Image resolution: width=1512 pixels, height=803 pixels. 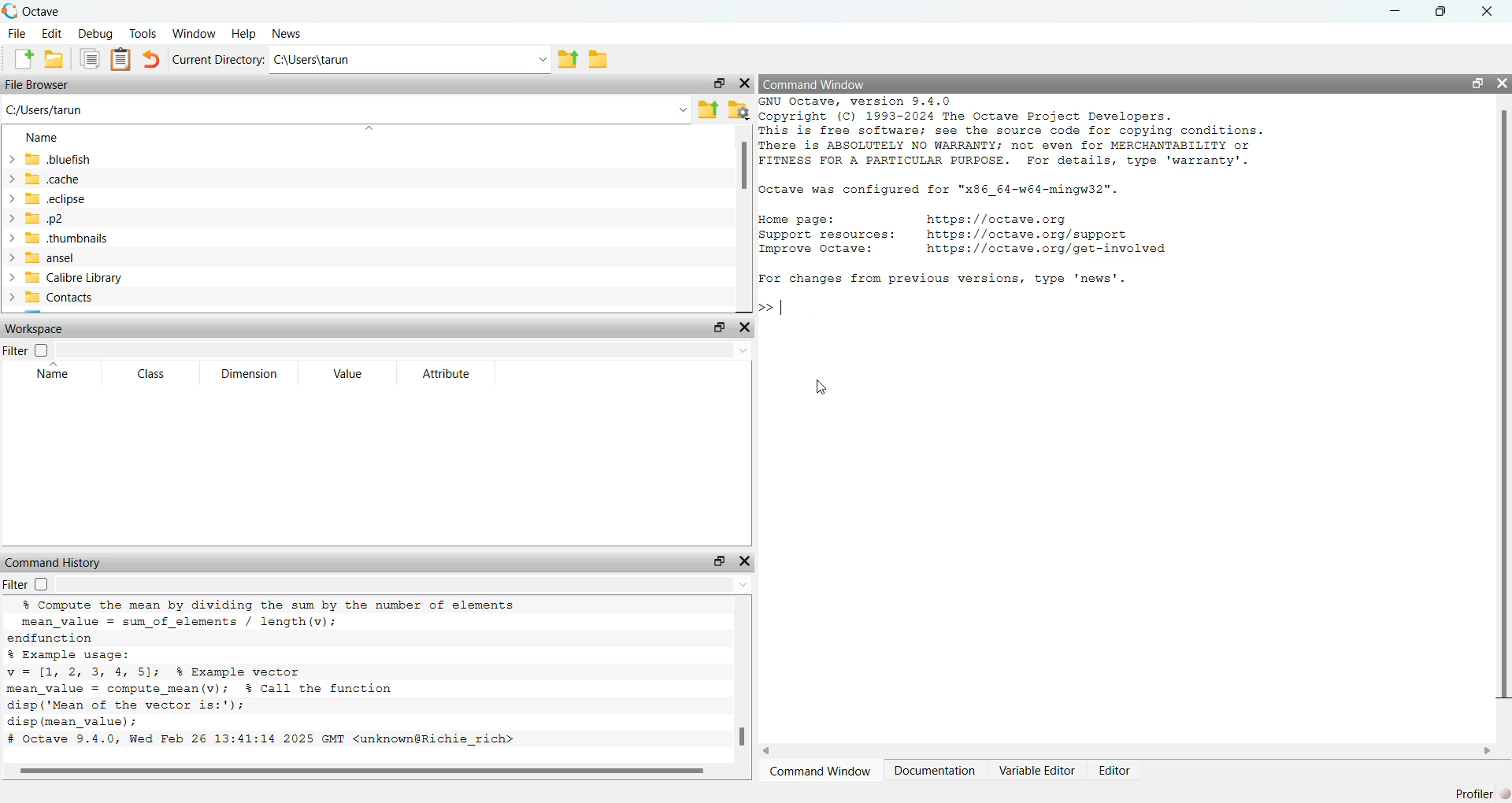 What do you see at coordinates (1013, 132) in the screenshot?
I see `GNU Octave, version 9.4.0

Copyright (C) 1993-2024 The Octave Project Developers.

This is free software; see the source code for copying conditions.
There is ABSOLUTELY NO WARRANTY; not even for MERCHANTABILITY or
FITNESS FOR A PARTICULAR PURPOSE. For details, type 'warranty'.` at bounding box center [1013, 132].